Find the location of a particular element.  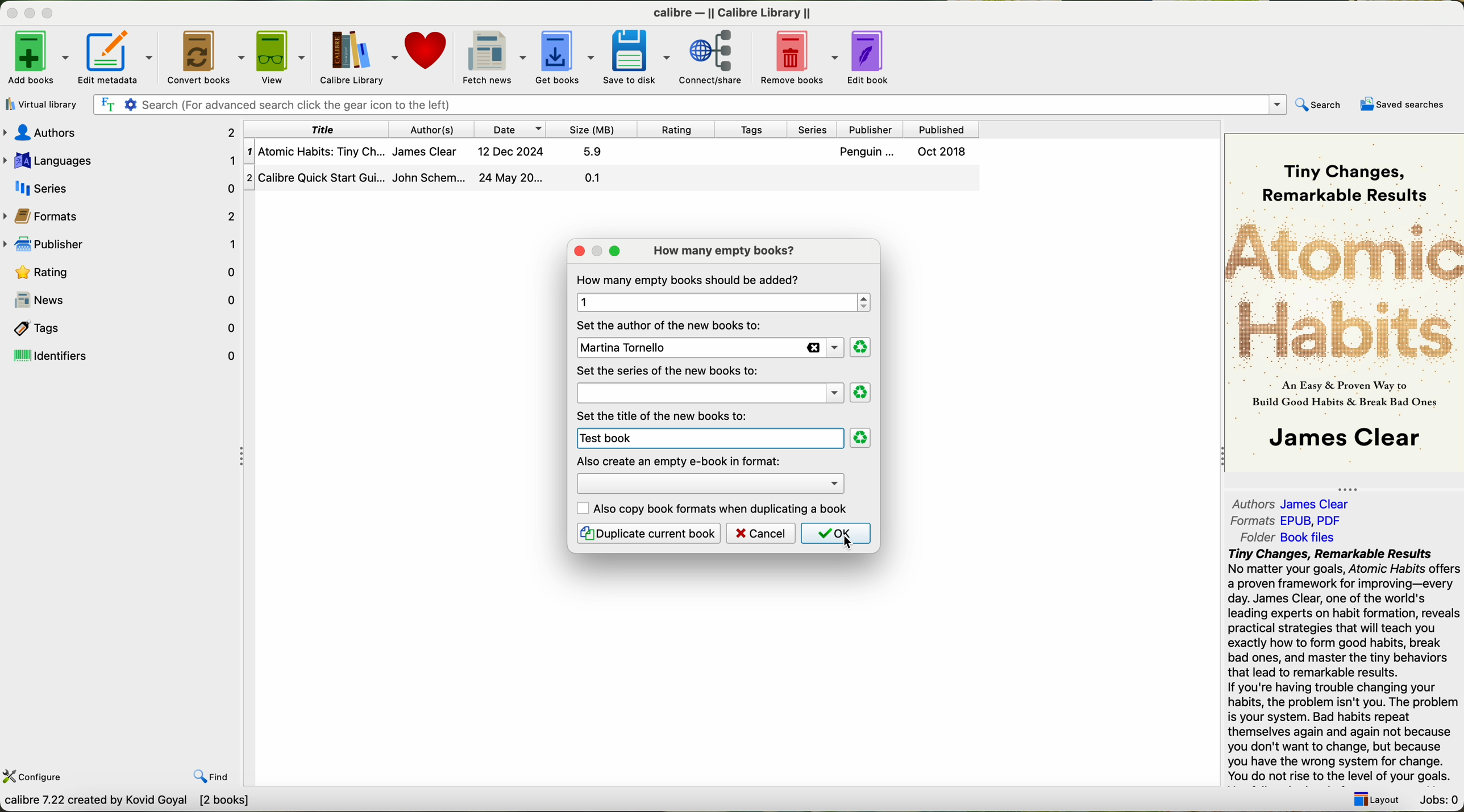

series option is located at coordinates (709, 397).